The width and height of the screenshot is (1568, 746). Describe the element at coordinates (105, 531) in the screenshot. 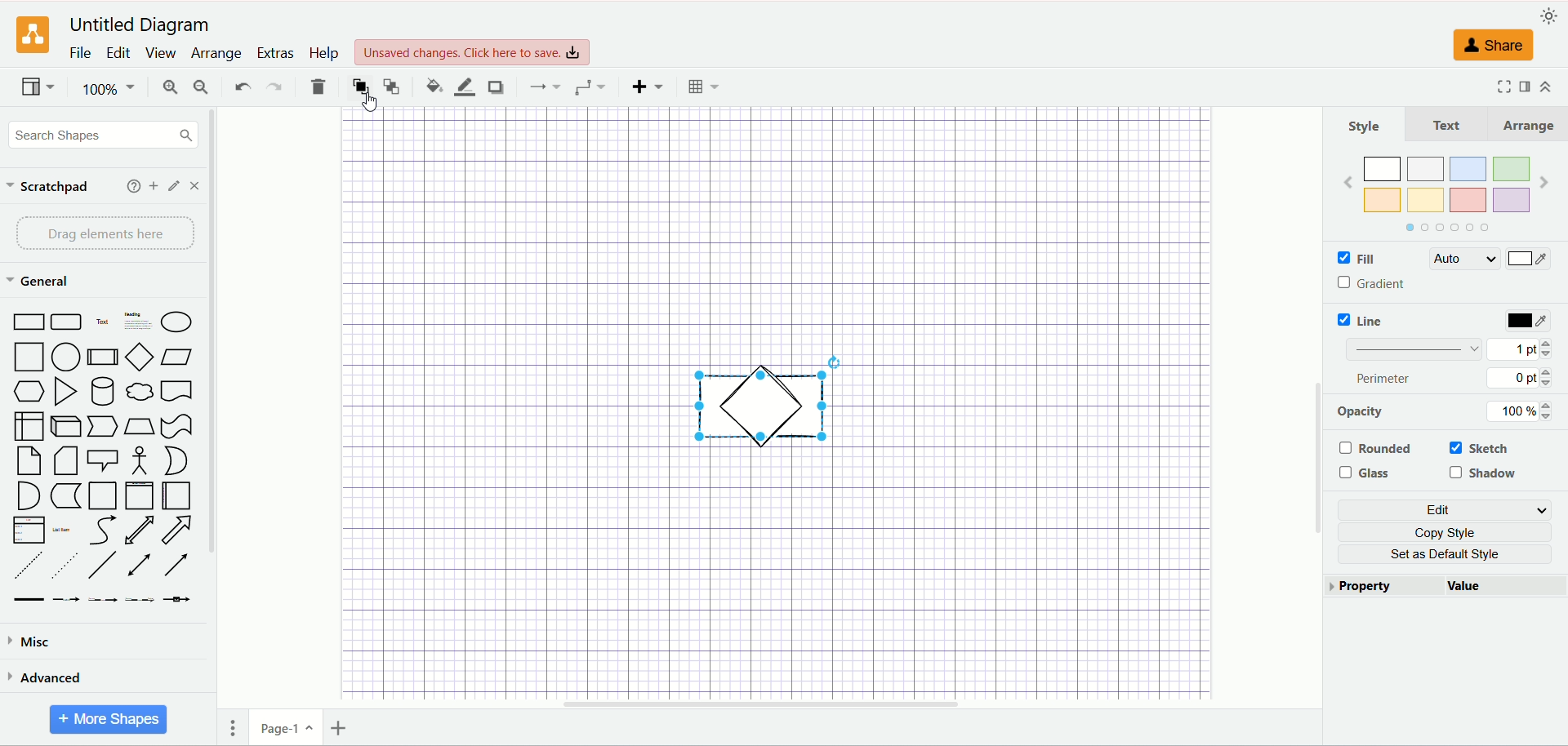

I see `Curve` at that location.